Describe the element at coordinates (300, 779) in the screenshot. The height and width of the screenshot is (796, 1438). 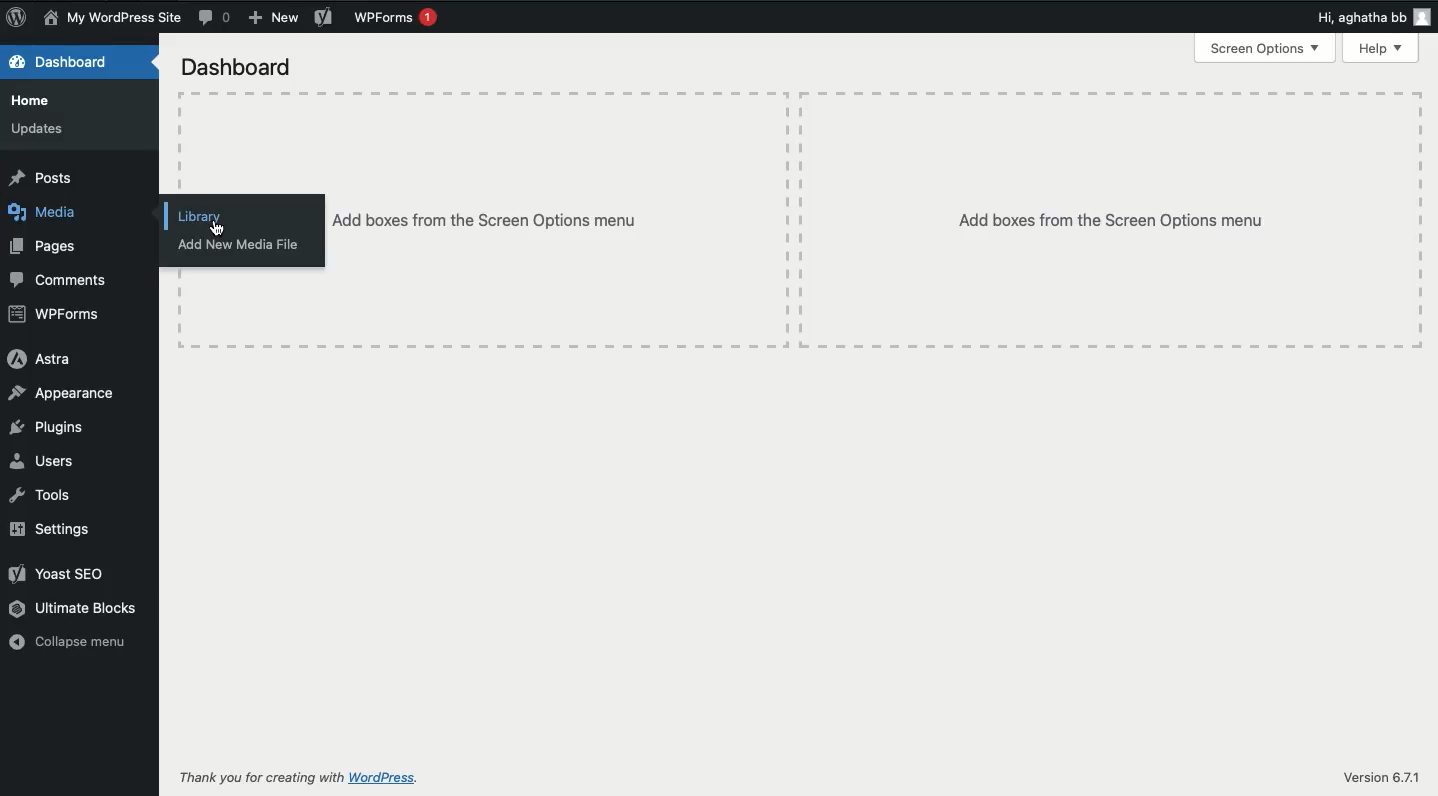
I see `Thank you for creating with WordPress` at that location.